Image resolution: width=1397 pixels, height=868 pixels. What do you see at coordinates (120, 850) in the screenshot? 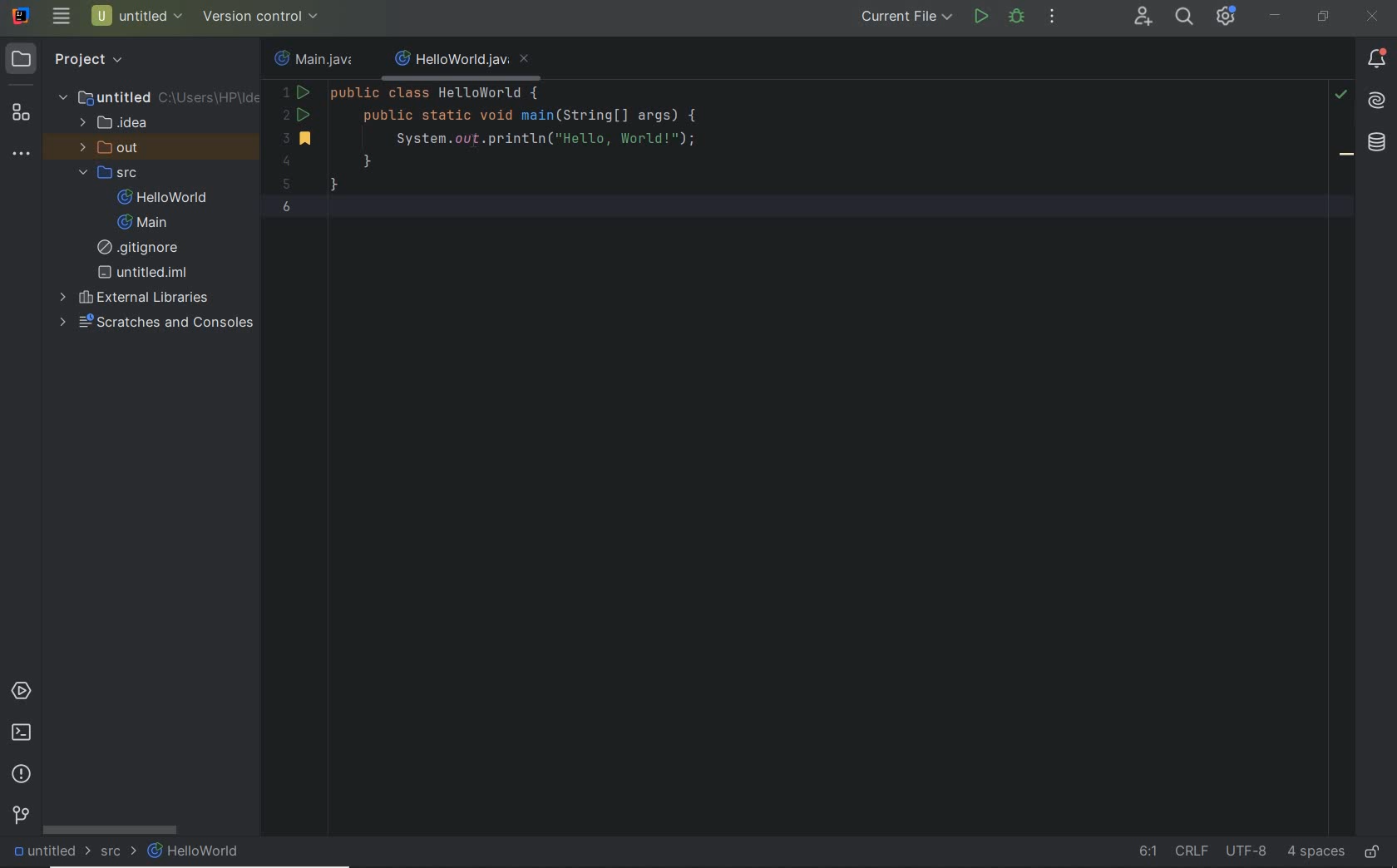
I see `src` at bounding box center [120, 850].